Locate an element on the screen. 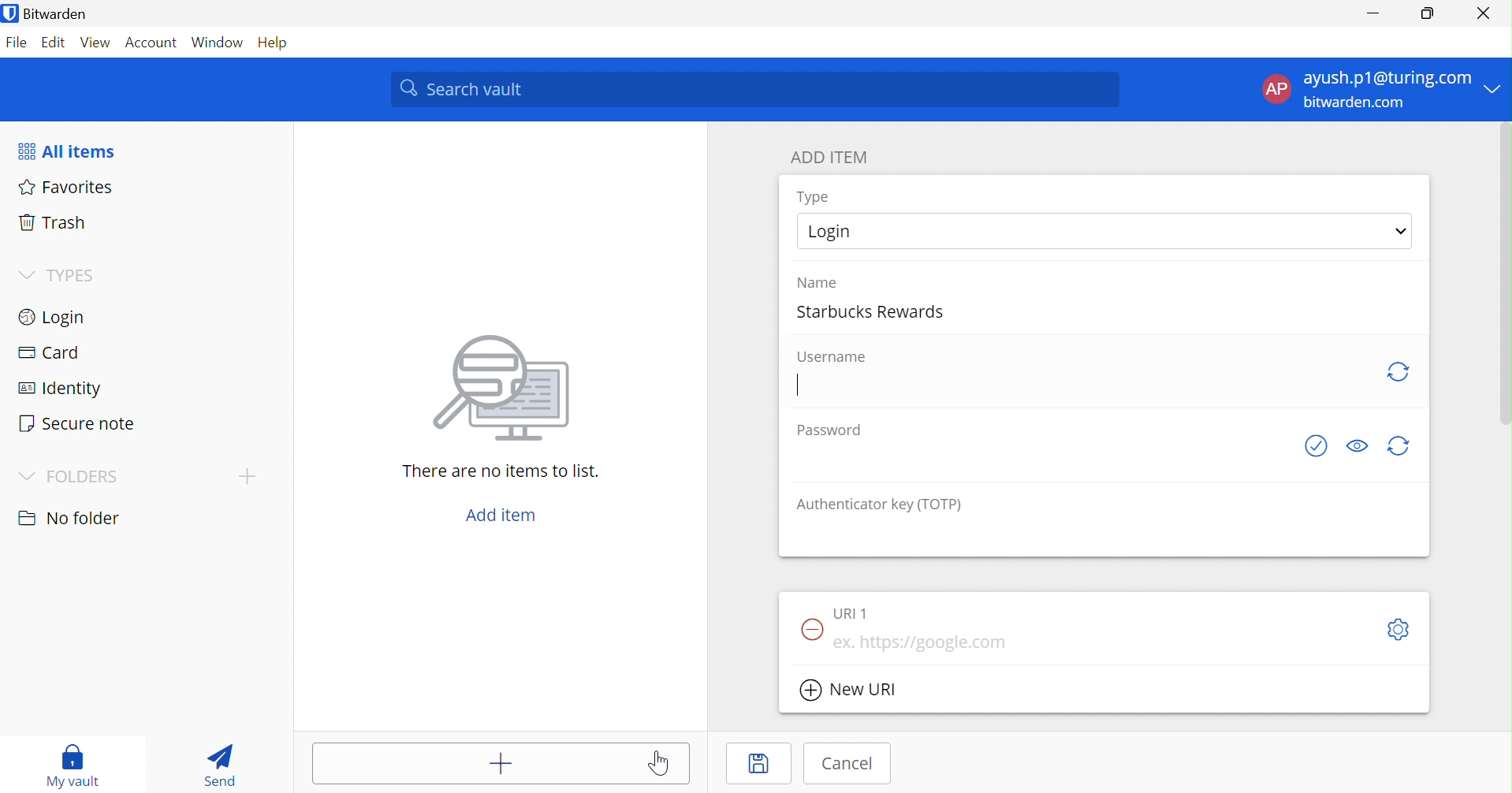 Image resolution: width=1512 pixels, height=793 pixels. Regenerate username is located at coordinates (1397, 372).